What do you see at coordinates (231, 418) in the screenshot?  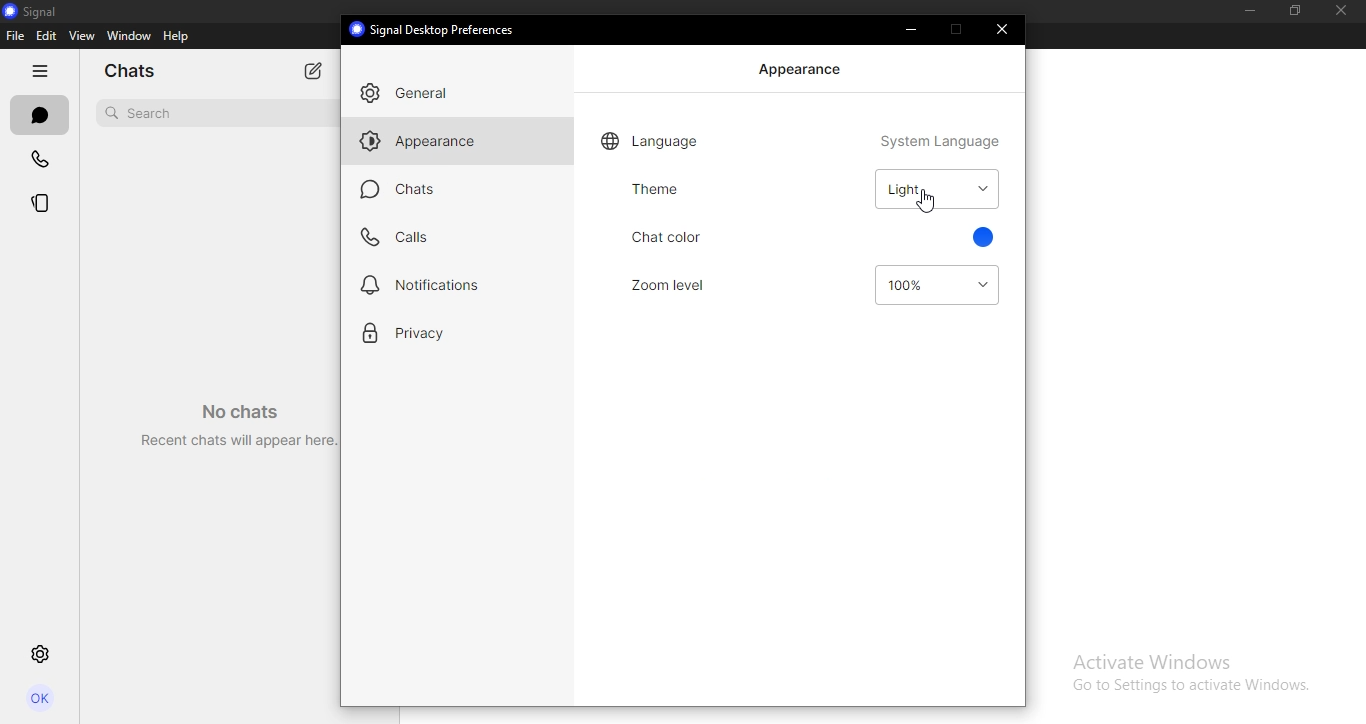 I see `No chats Recent chats will appear here.` at bounding box center [231, 418].